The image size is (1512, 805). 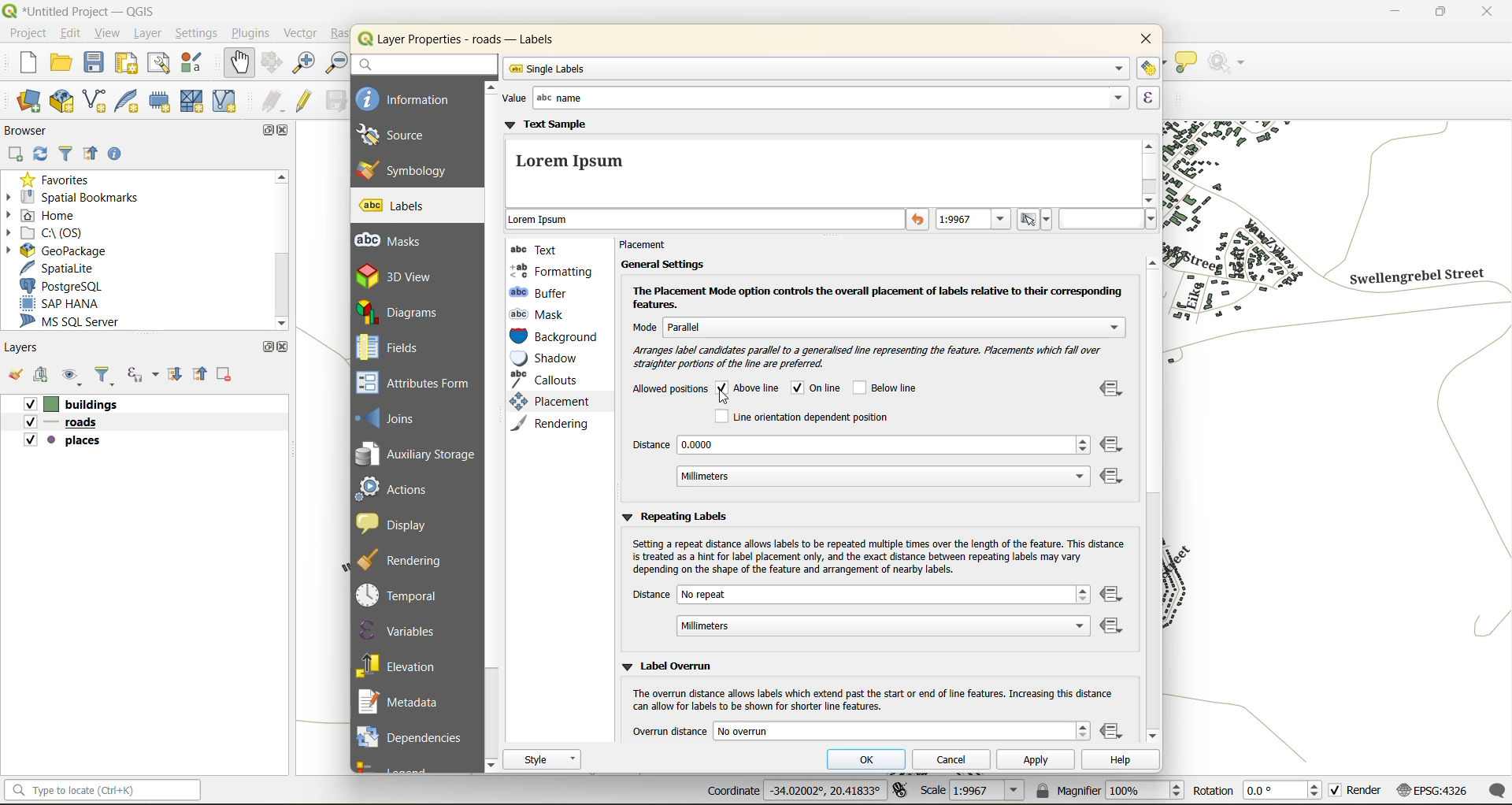 I want to click on c\:os, so click(x=57, y=234).